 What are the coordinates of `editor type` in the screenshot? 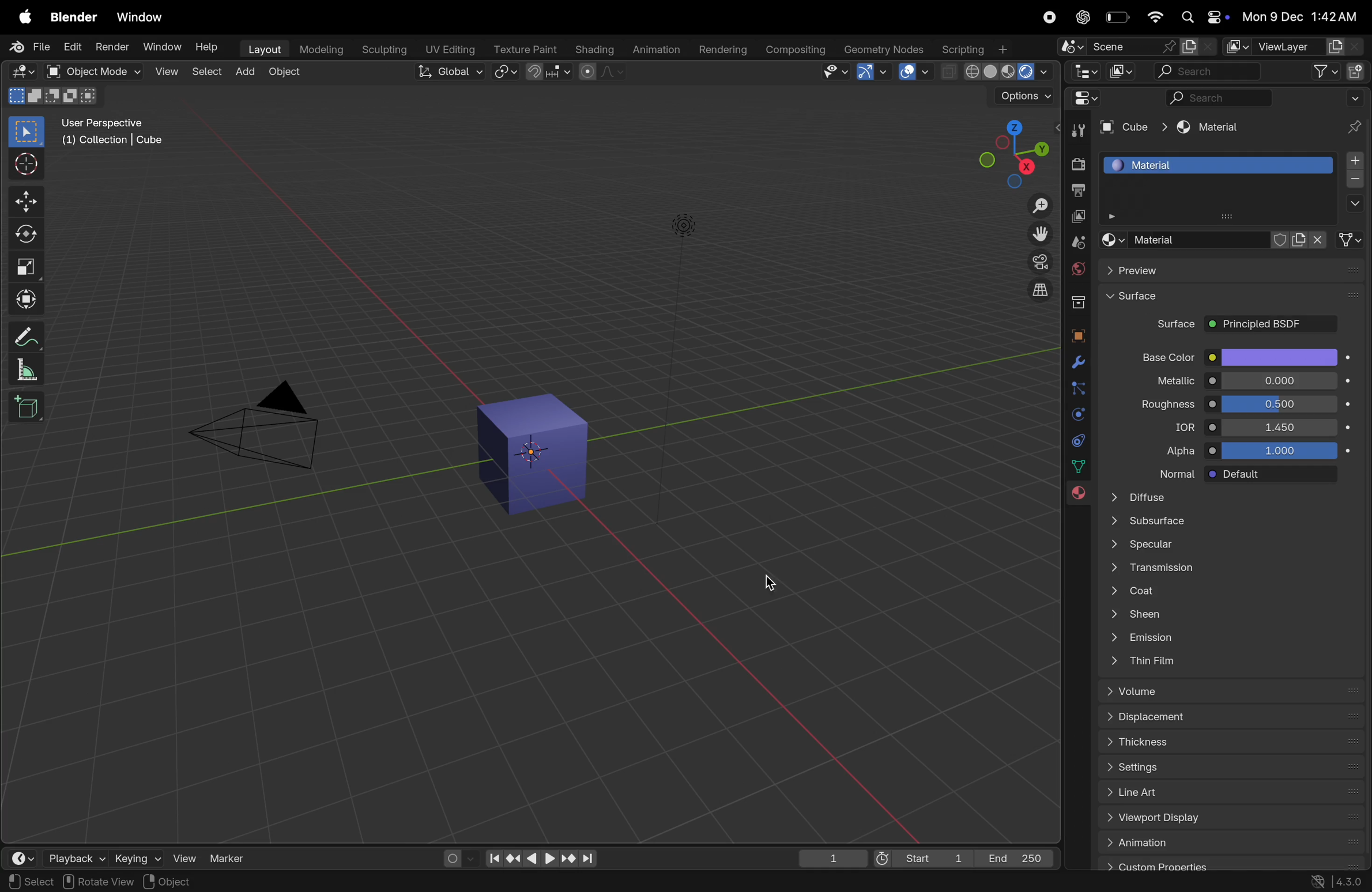 It's located at (22, 71).